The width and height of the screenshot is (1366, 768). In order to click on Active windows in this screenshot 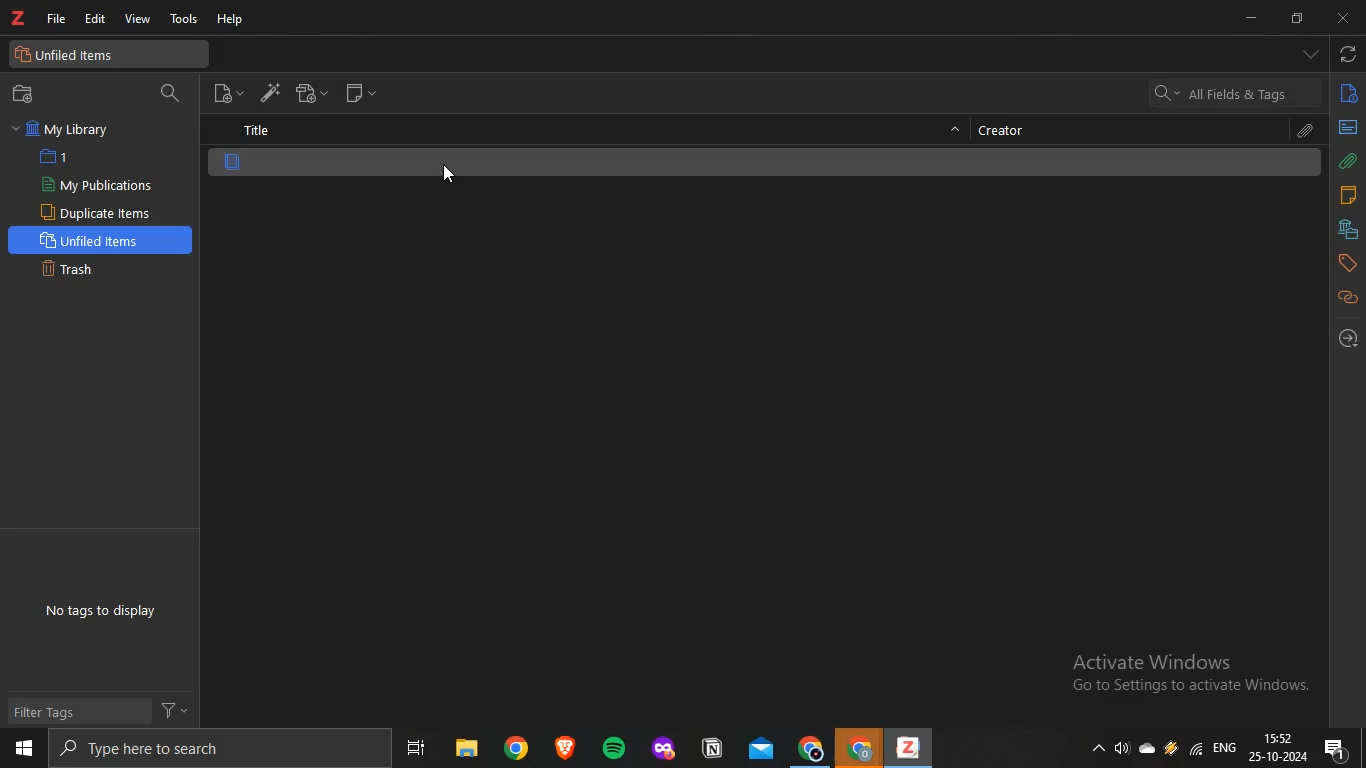, I will do `click(1184, 676)`.